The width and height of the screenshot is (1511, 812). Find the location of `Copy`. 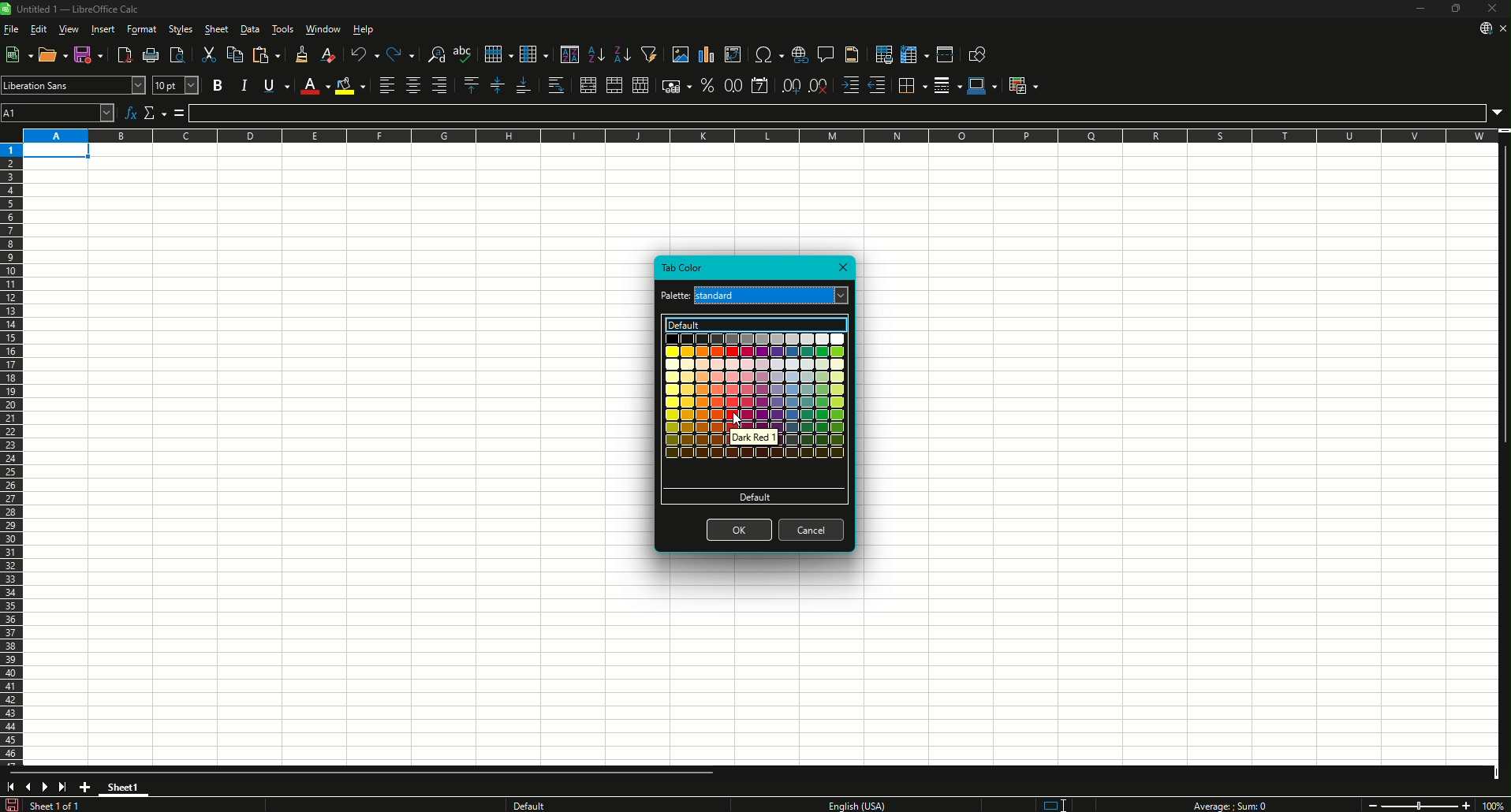

Copy is located at coordinates (234, 54).